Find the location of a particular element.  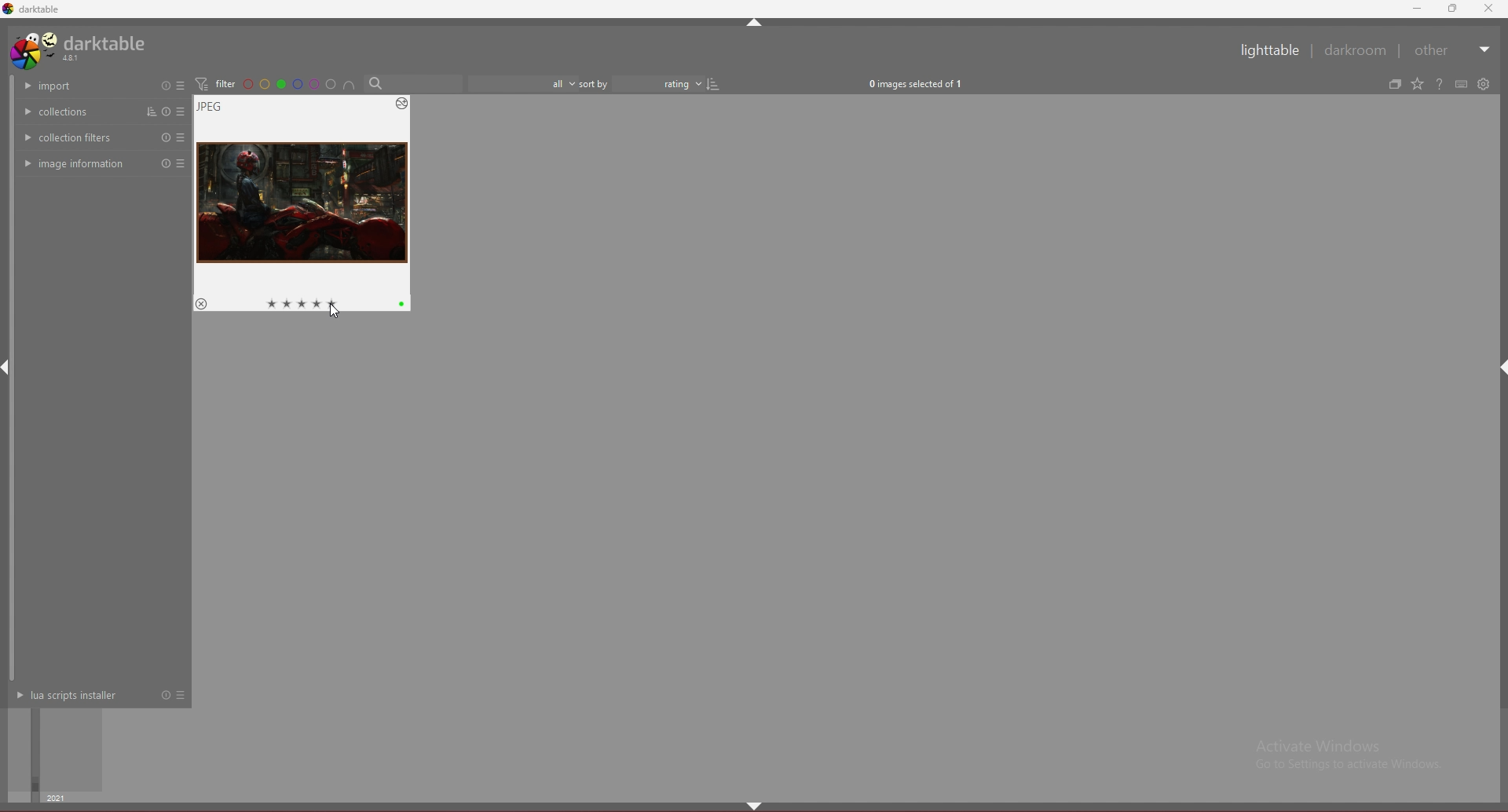

close is located at coordinates (1489, 8).